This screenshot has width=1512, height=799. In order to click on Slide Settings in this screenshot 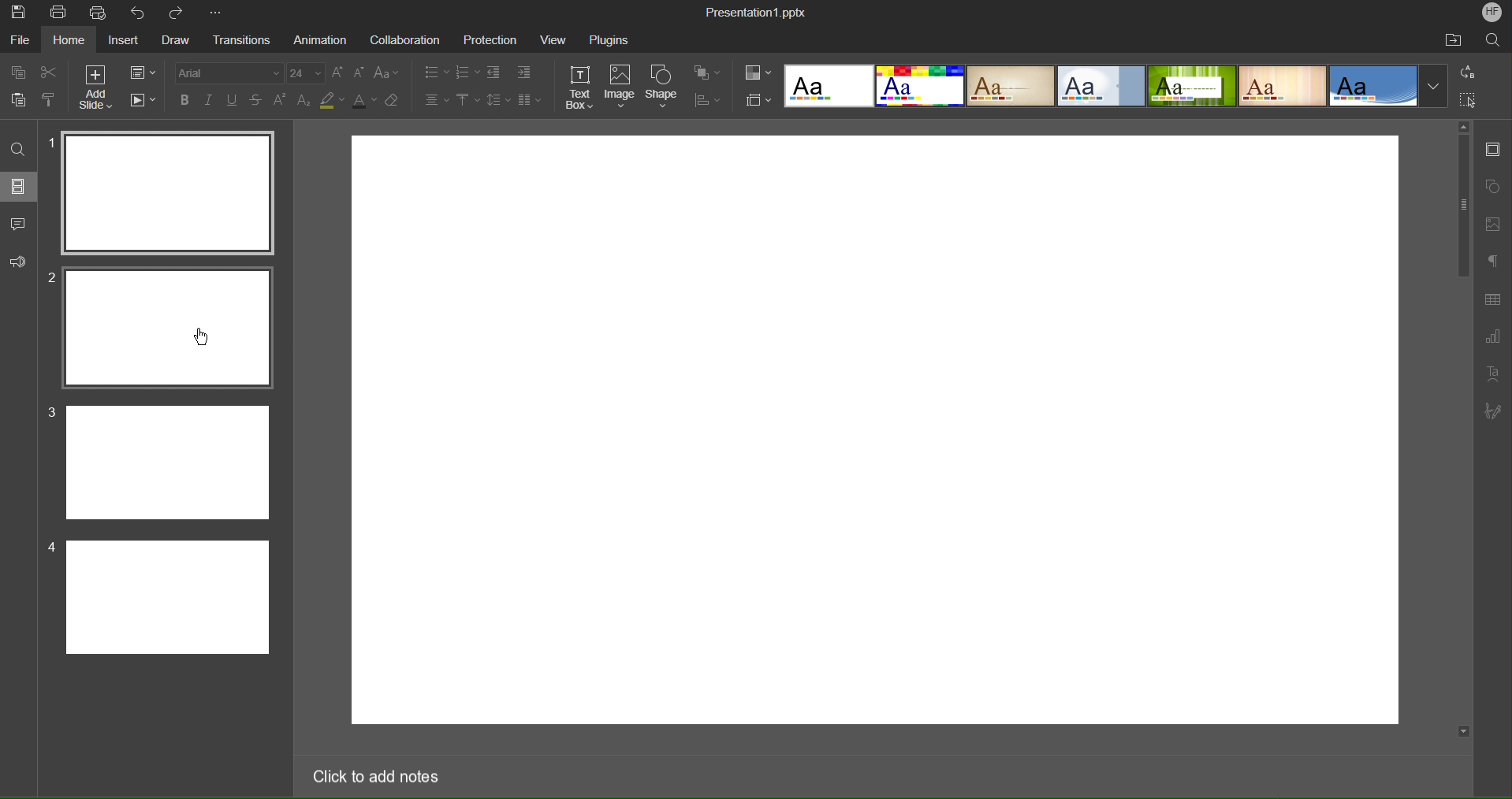, I will do `click(141, 70)`.